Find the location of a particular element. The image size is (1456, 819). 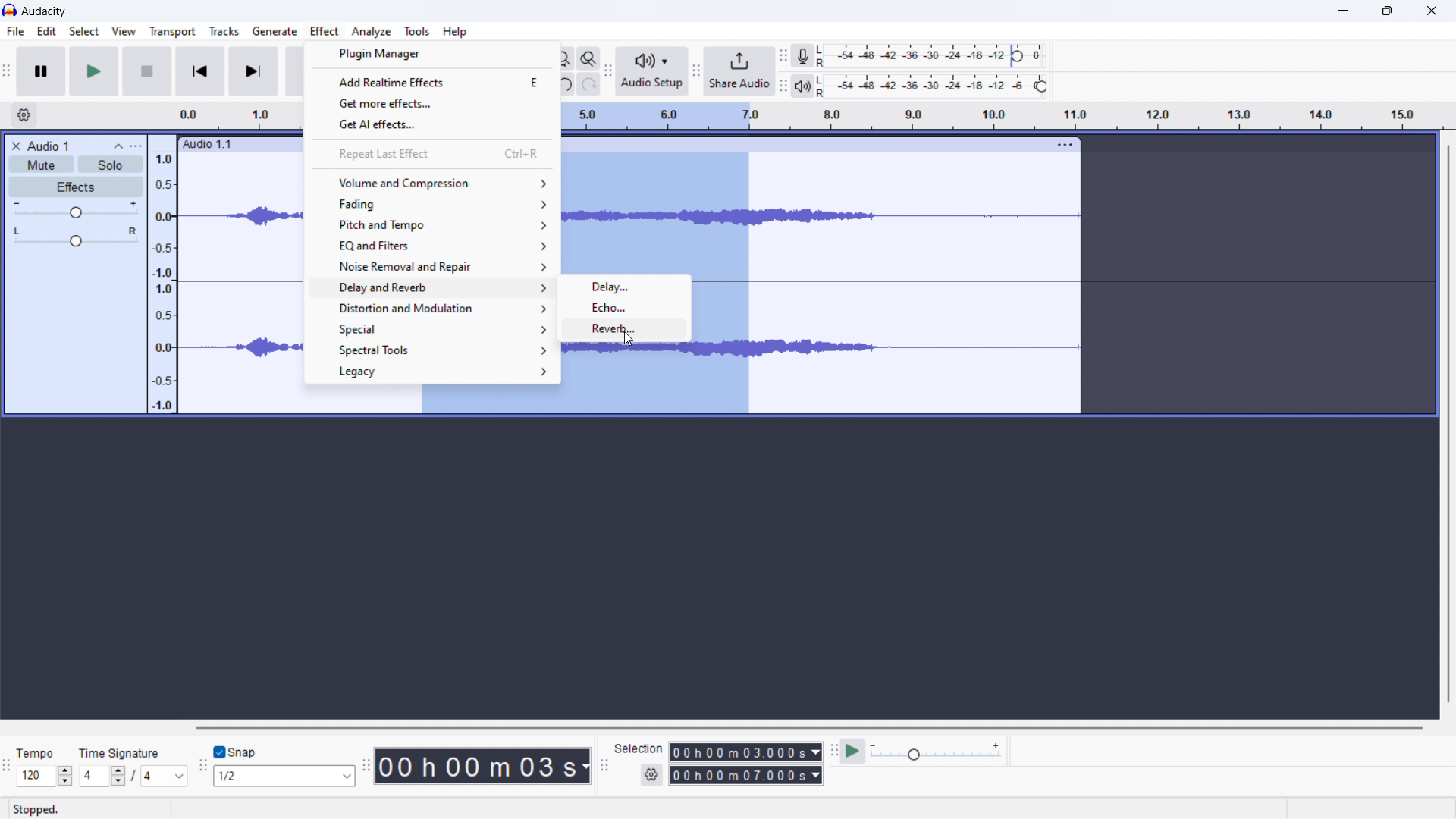

stop is located at coordinates (147, 71).